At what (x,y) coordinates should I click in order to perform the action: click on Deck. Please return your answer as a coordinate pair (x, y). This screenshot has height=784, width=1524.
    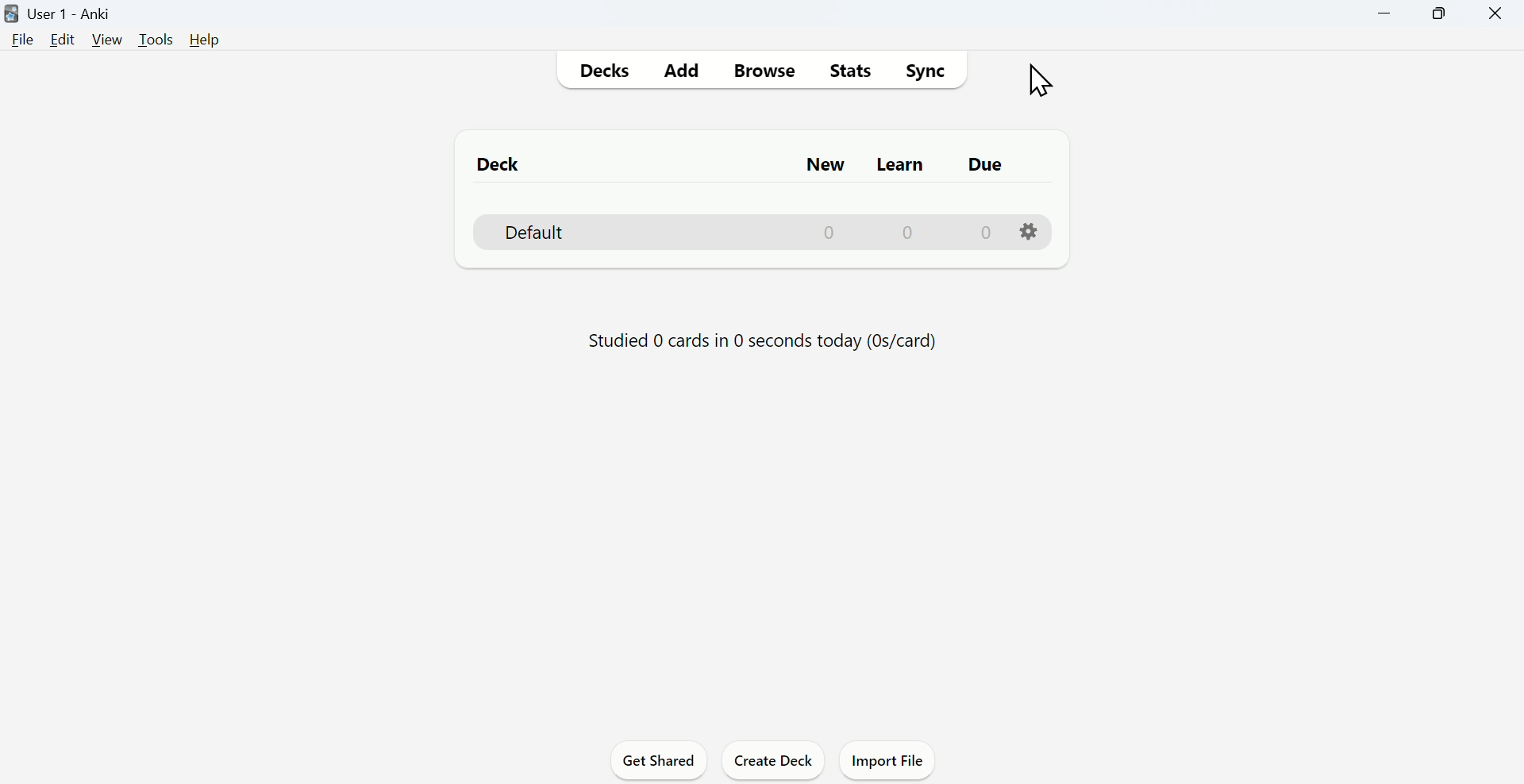
    Looking at the image, I should click on (753, 231).